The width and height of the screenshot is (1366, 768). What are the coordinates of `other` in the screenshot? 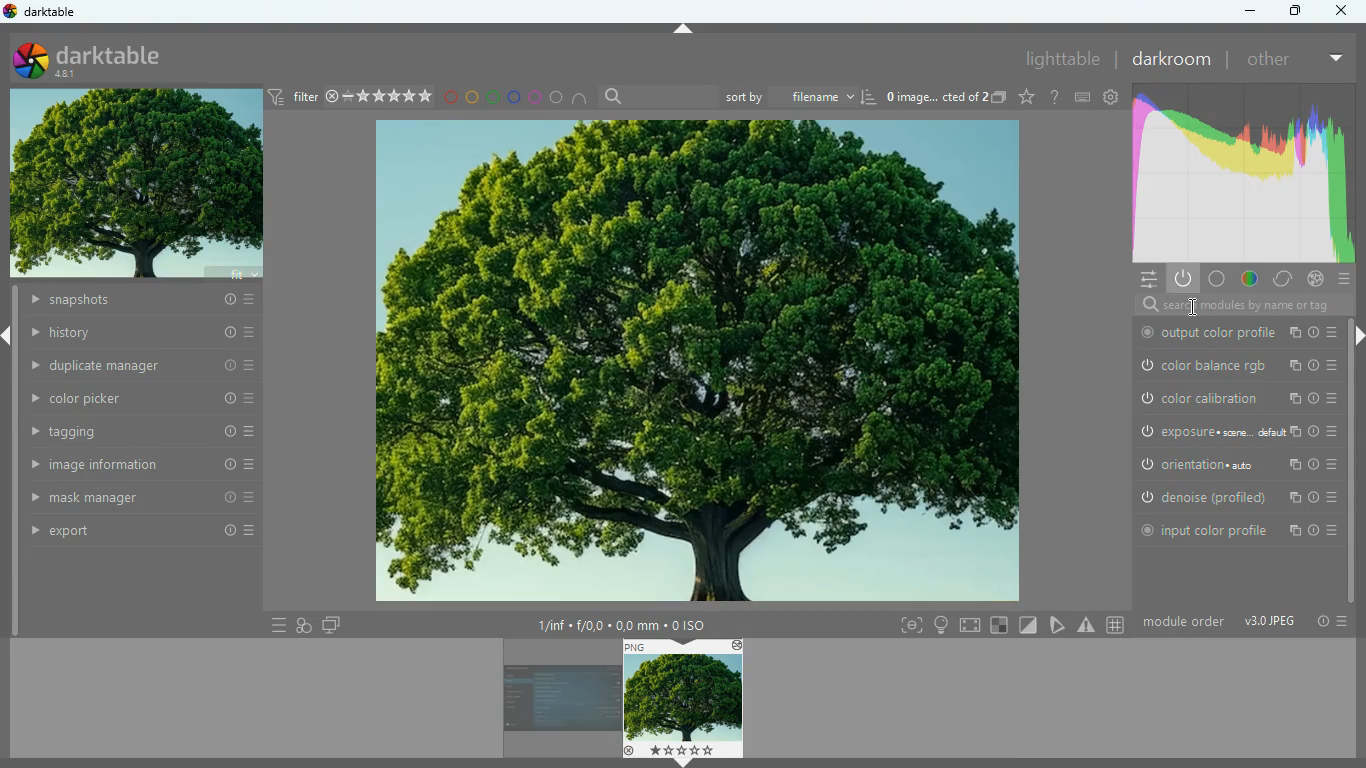 It's located at (1271, 60).